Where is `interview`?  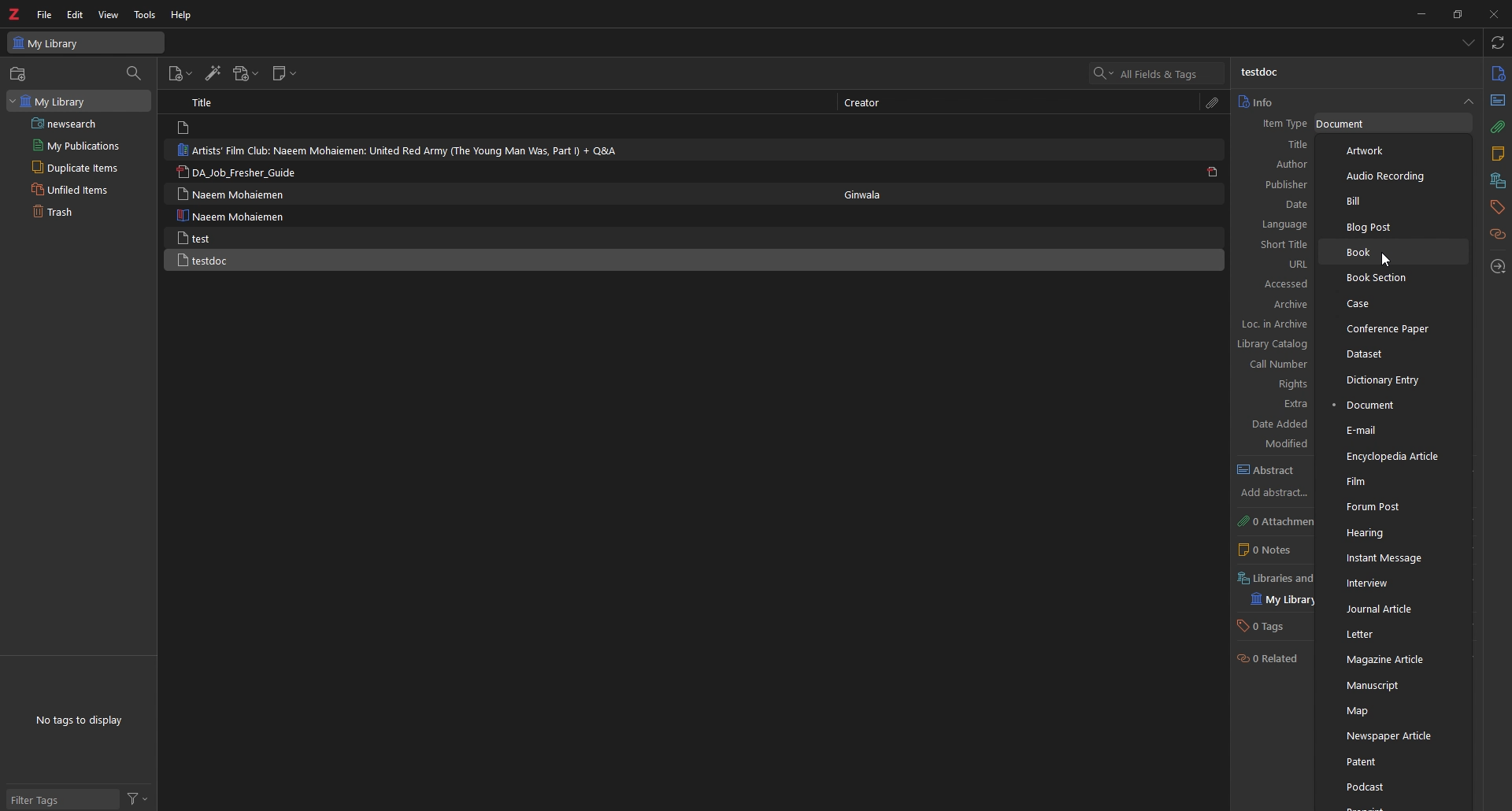
interview is located at coordinates (1394, 583).